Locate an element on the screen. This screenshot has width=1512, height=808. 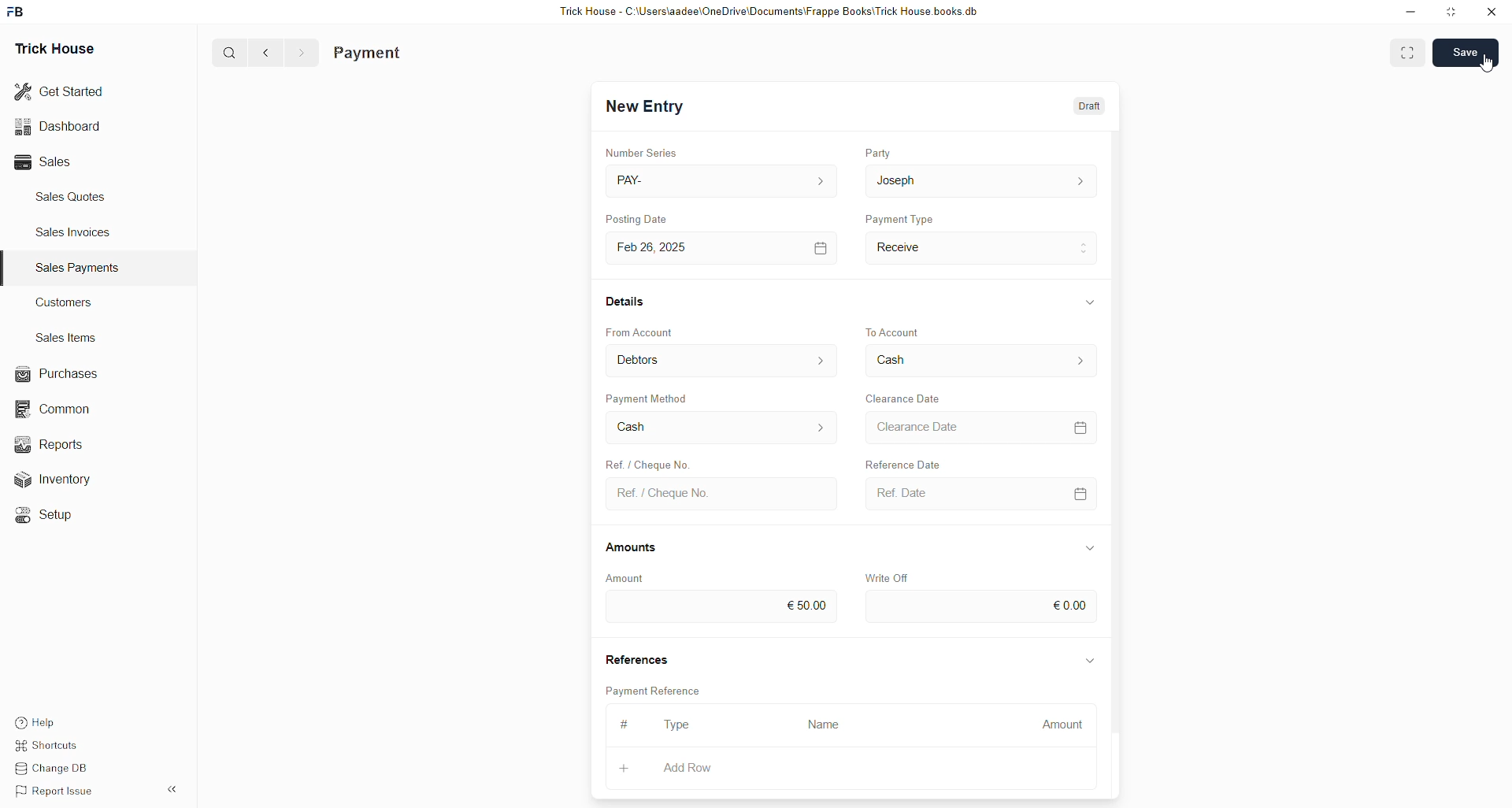
Trick House is located at coordinates (54, 50).